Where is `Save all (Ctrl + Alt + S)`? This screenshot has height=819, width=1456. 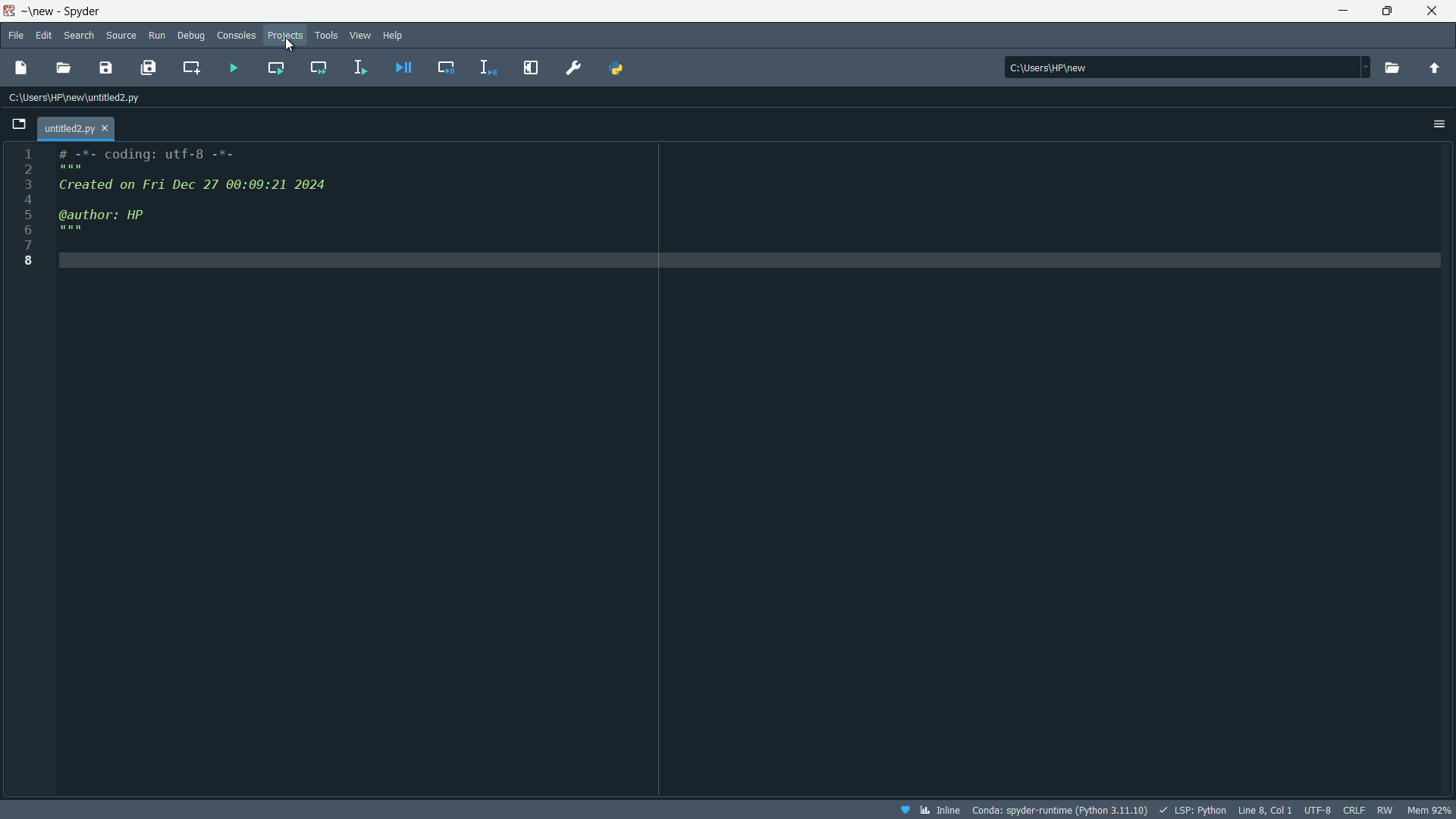
Save all (Ctrl + Alt + S) is located at coordinates (150, 67).